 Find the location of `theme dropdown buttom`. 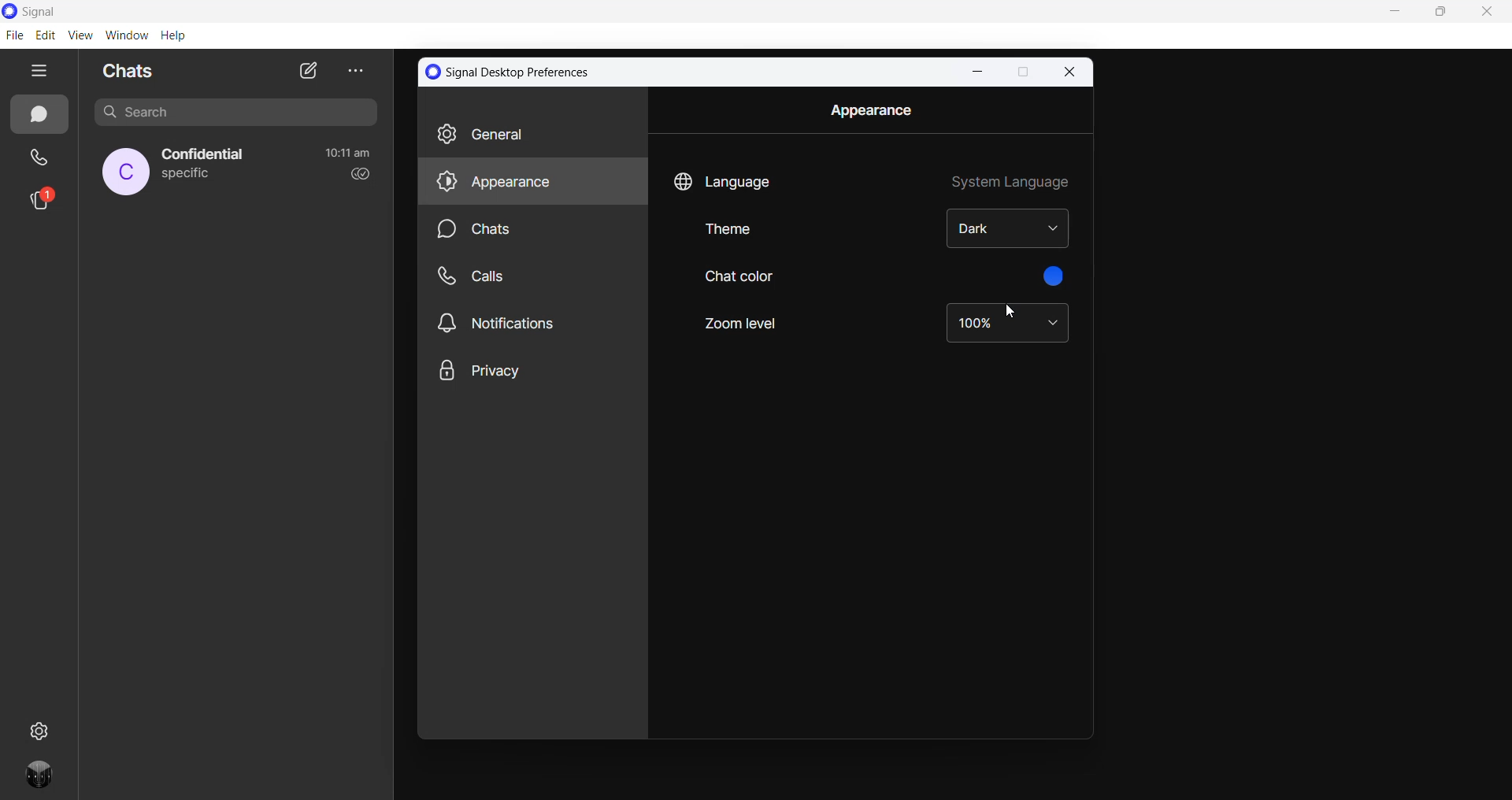

theme dropdown buttom is located at coordinates (1010, 229).